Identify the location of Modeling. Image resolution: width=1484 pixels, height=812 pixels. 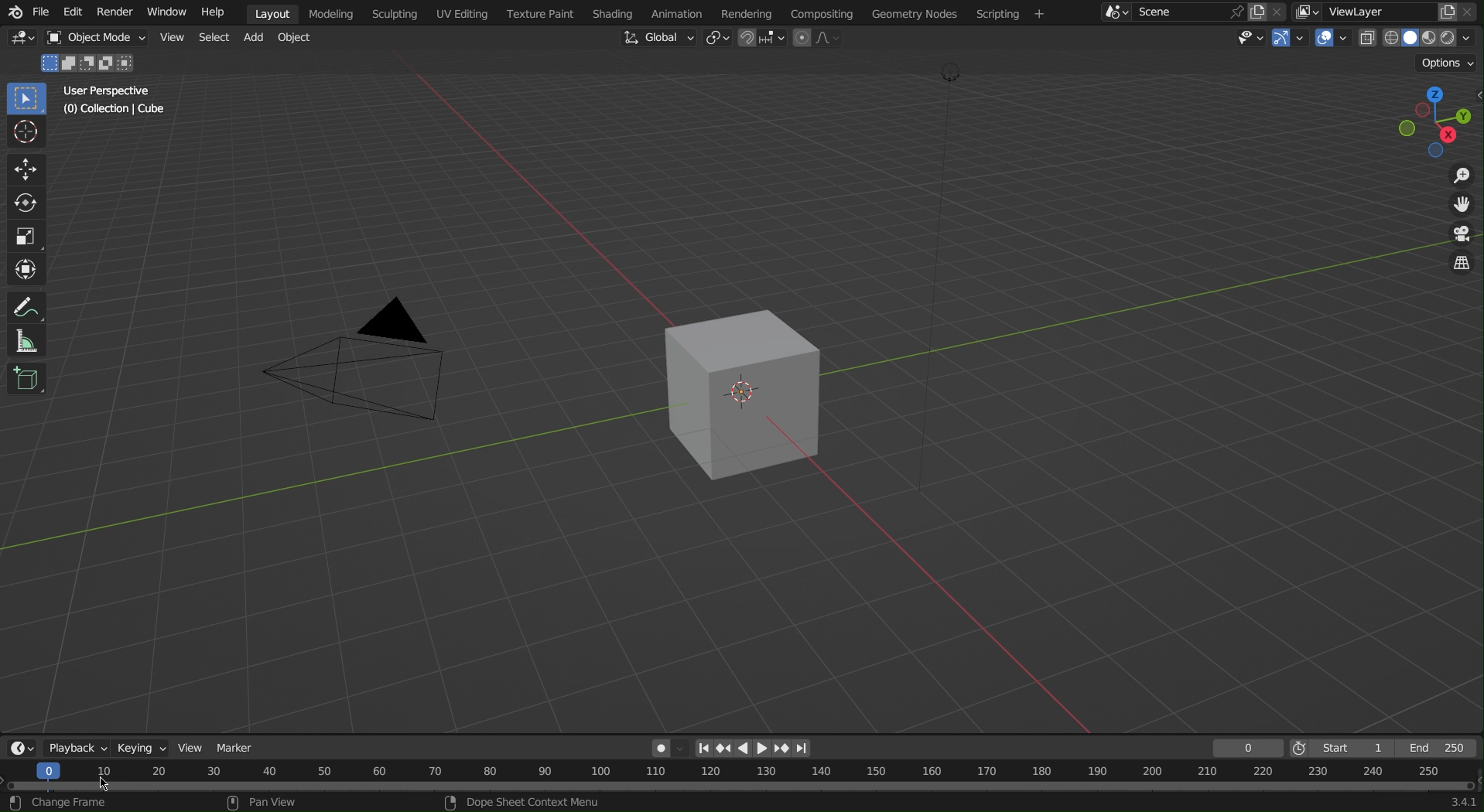
(334, 12).